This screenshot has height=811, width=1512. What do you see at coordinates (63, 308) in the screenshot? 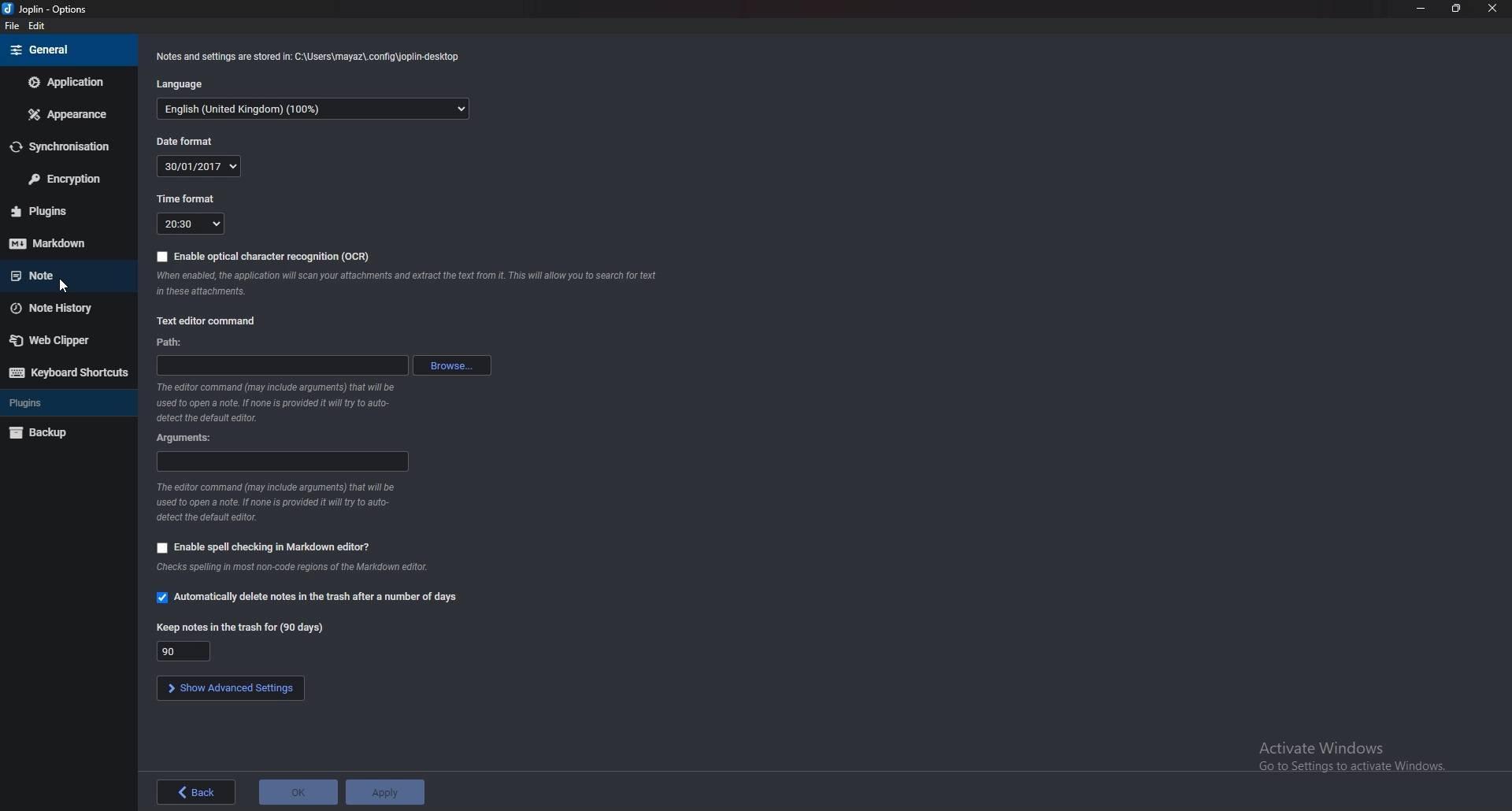
I see `Note history` at bounding box center [63, 308].